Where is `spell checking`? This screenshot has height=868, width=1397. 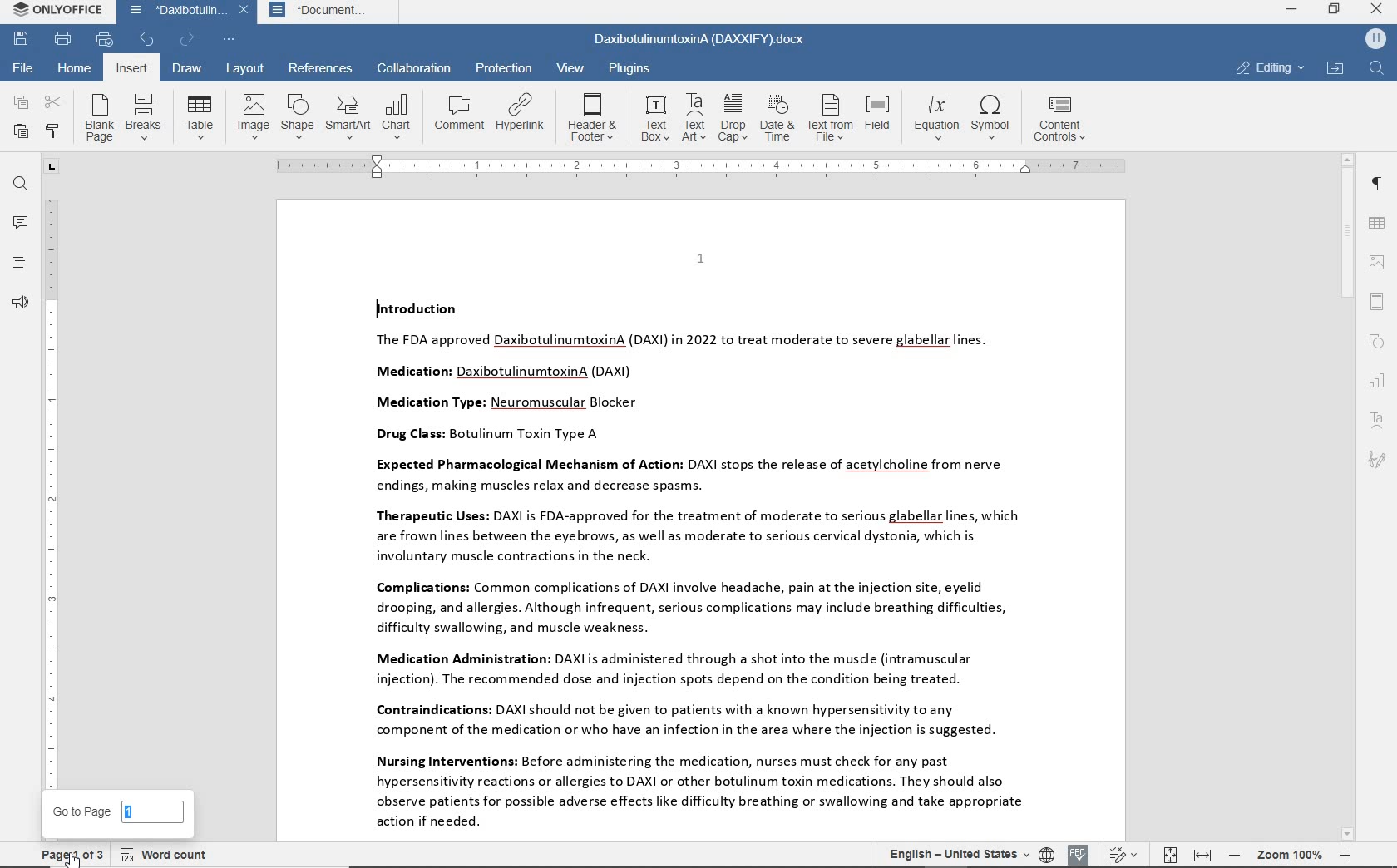 spell checking is located at coordinates (1079, 853).